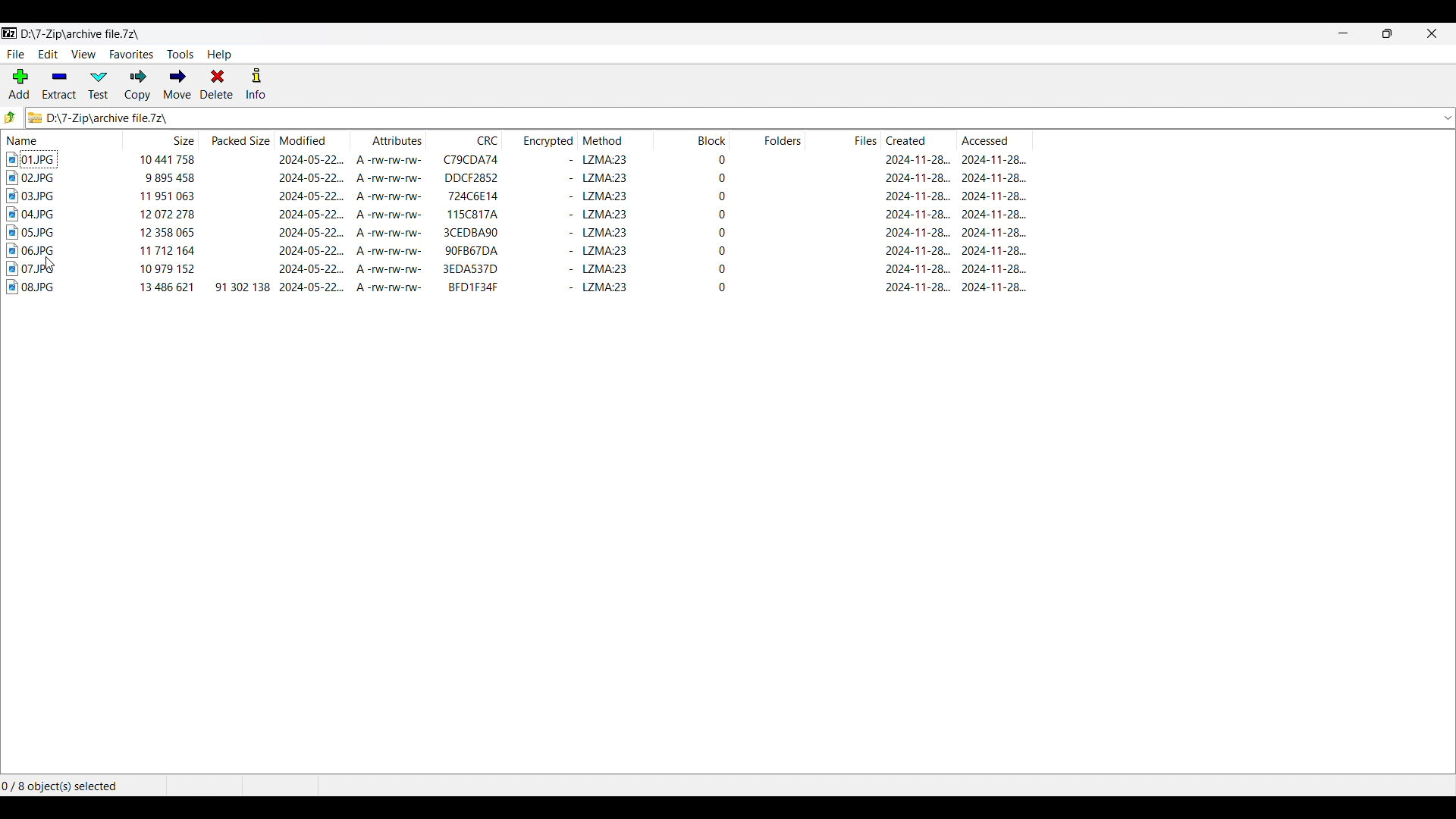 The height and width of the screenshot is (819, 1456). I want to click on created date & time, so click(918, 215).